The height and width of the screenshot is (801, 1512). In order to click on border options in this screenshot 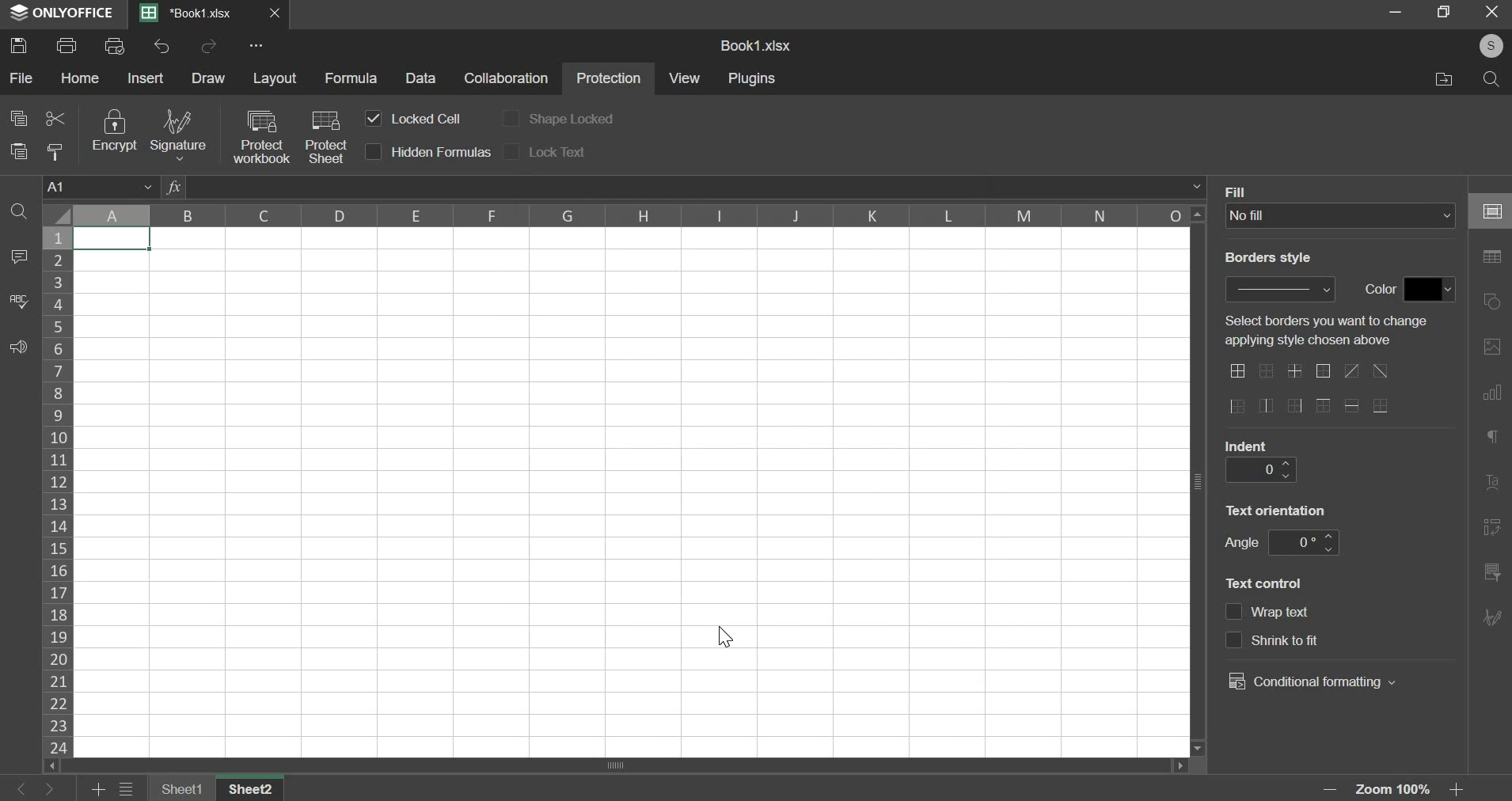, I will do `click(1324, 407)`.